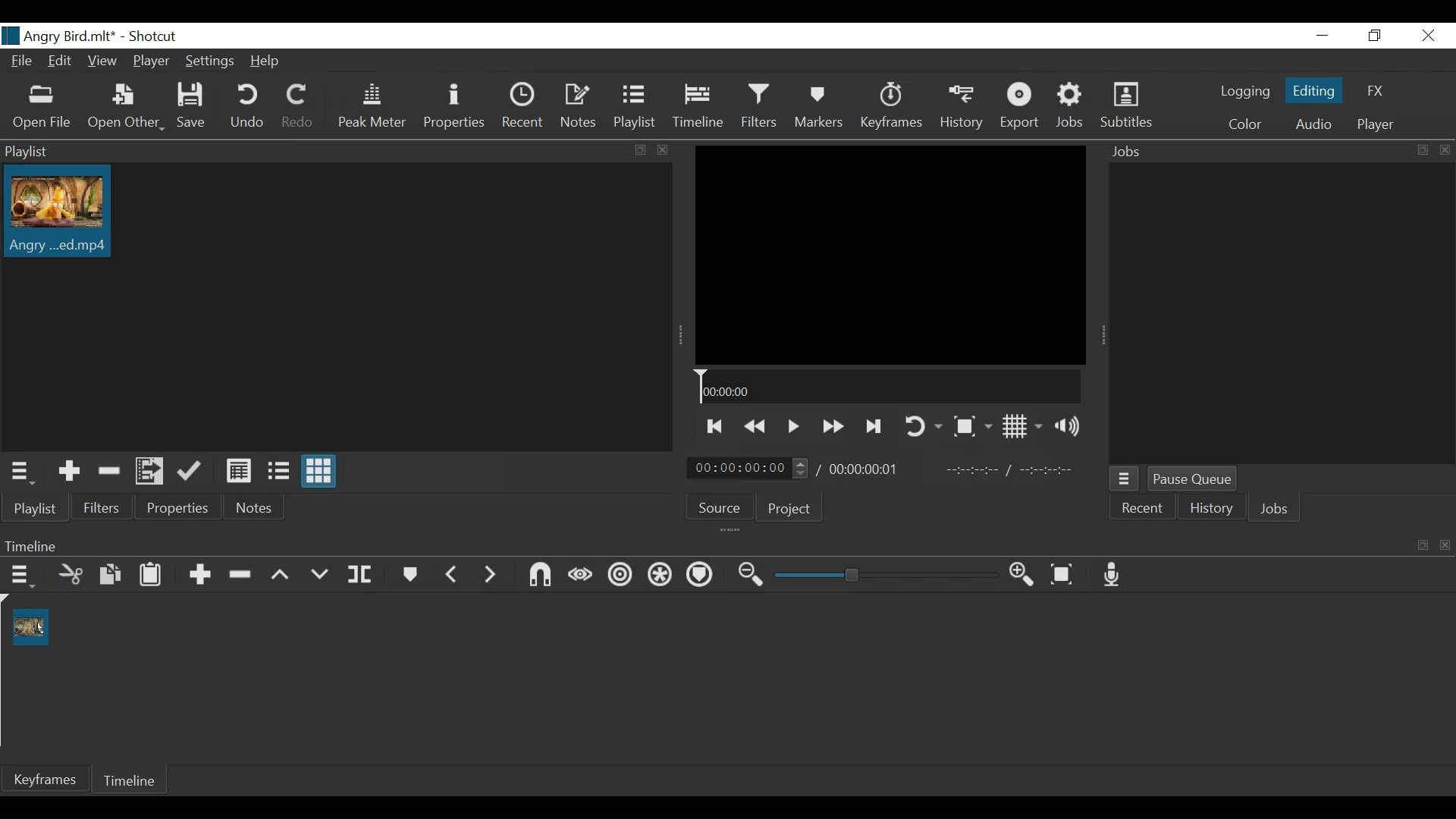 The width and height of the screenshot is (1456, 819). I want to click on Toggle display grid on the player, so click(1022, 426).